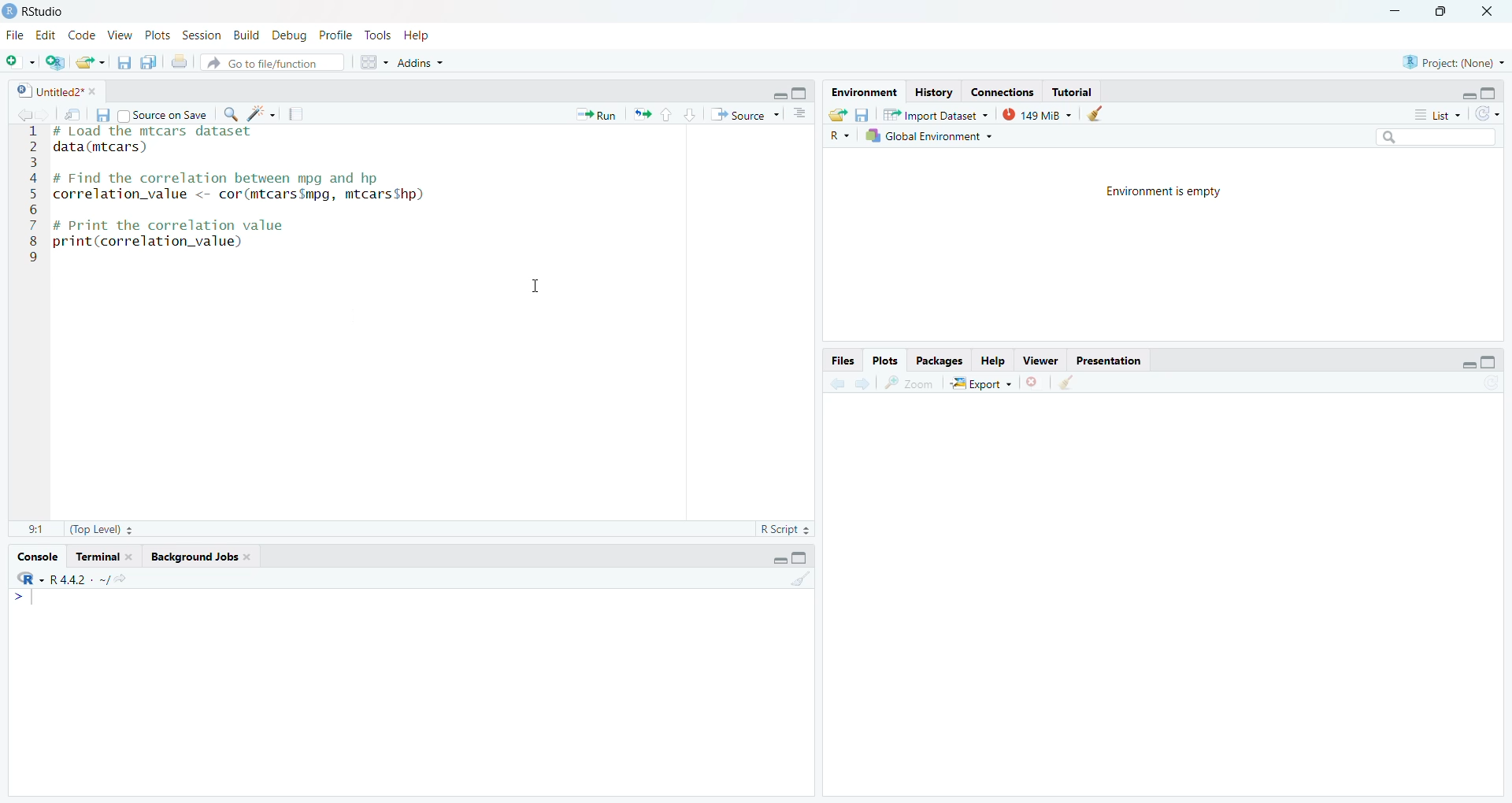 This screenshot has height=803, width=1512. What do you see at coordinates (1173, 192) in the screenshot?
I see `Environment is empty` at bounding box center [1173, 192].